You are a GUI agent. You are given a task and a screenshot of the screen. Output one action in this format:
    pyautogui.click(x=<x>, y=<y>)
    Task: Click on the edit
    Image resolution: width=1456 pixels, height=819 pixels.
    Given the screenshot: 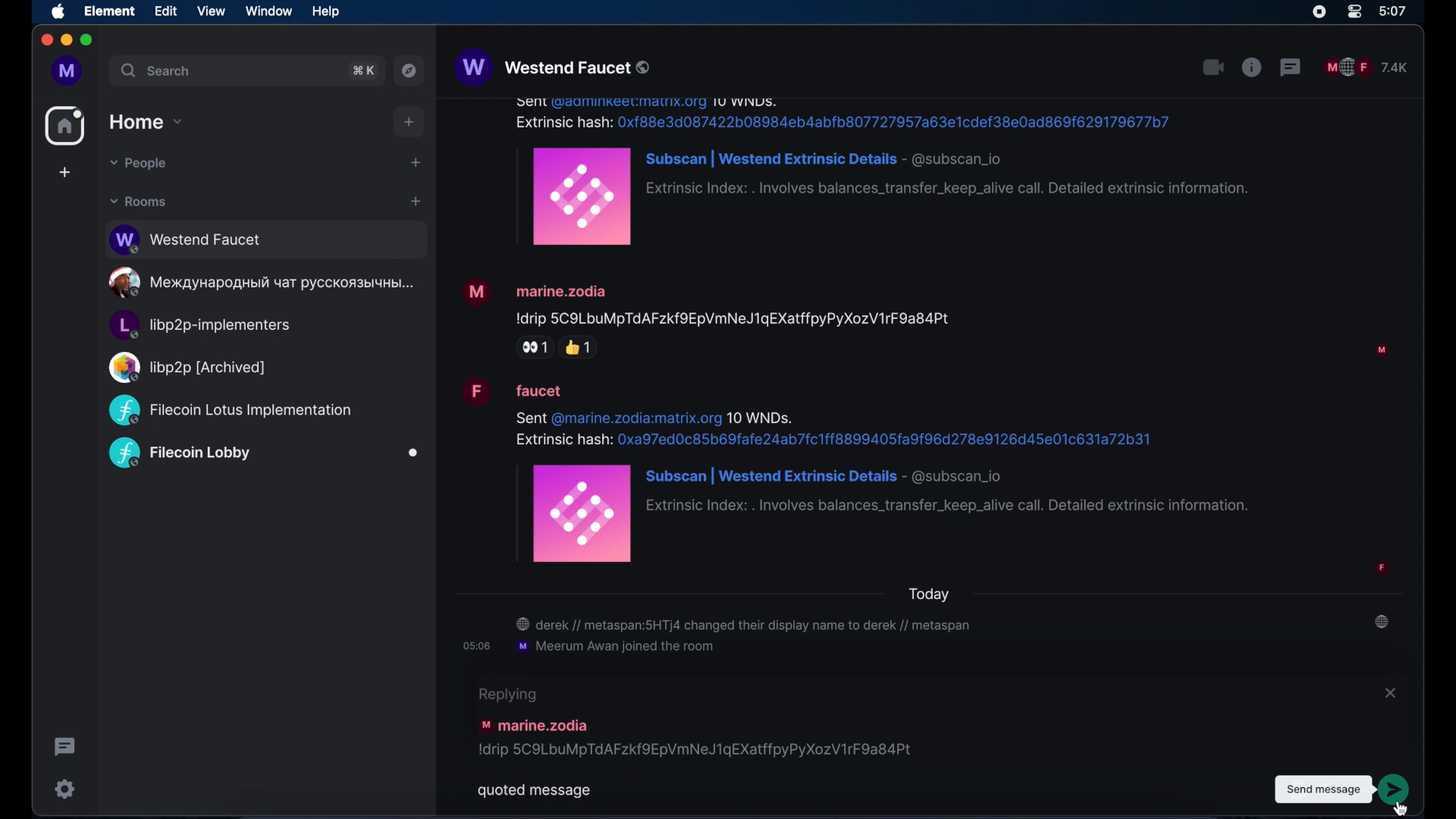 What is the action you would take?
    pyautogui.click(x=165, y=11)
    